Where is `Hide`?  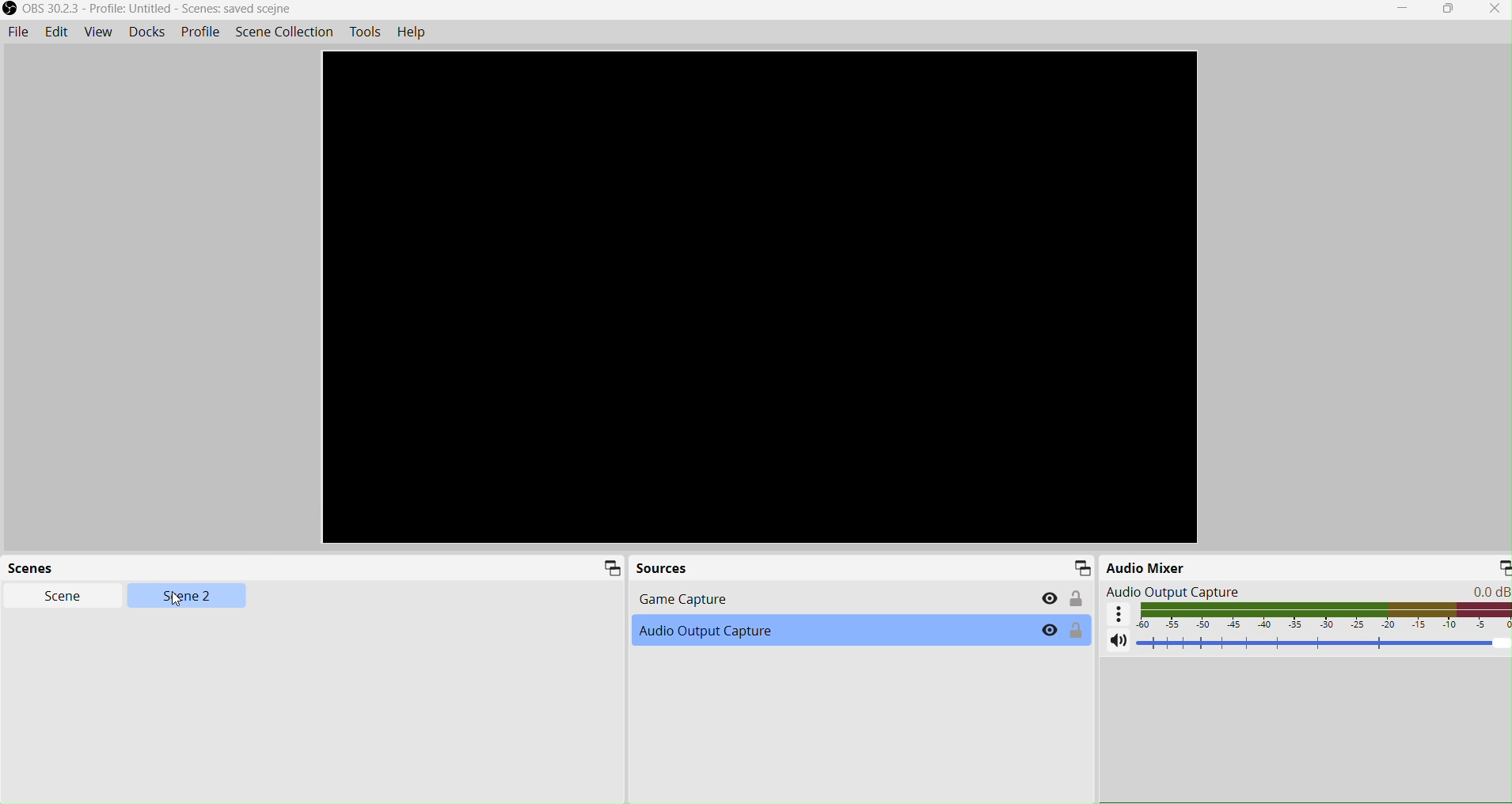 Hide is located at coordinates (1050, 597).